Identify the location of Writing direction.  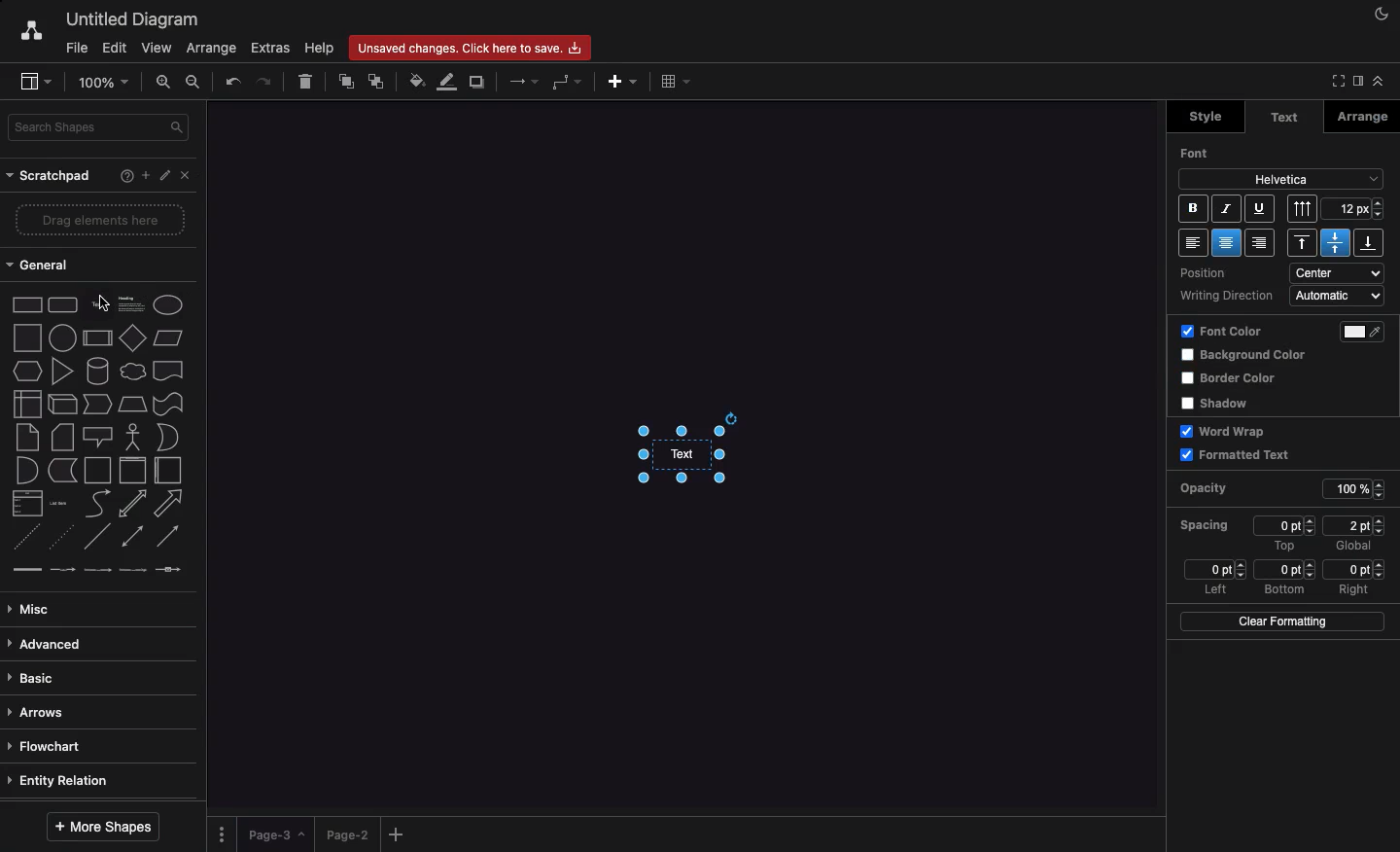
(1228, 297).